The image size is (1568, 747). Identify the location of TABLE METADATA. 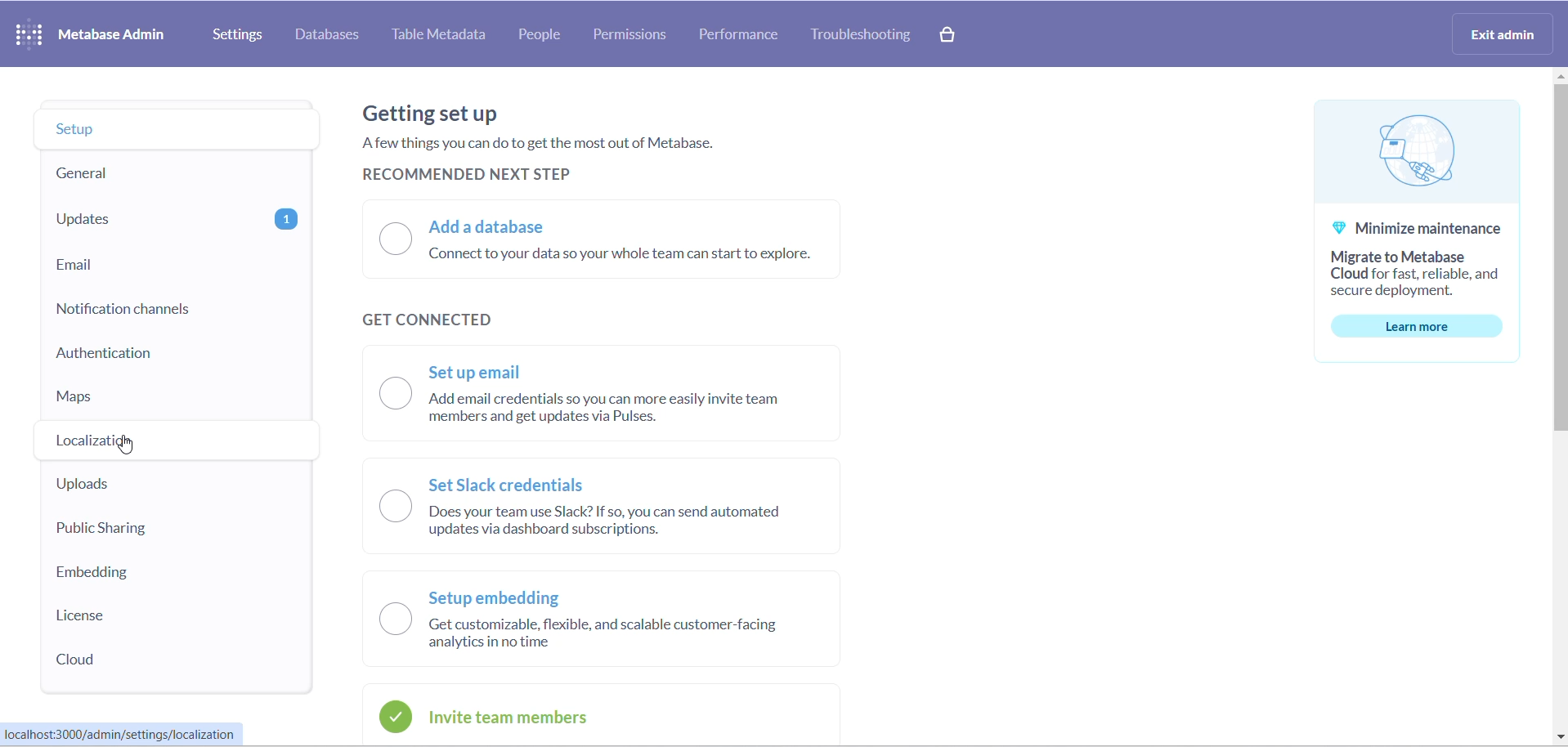
(443, 35).